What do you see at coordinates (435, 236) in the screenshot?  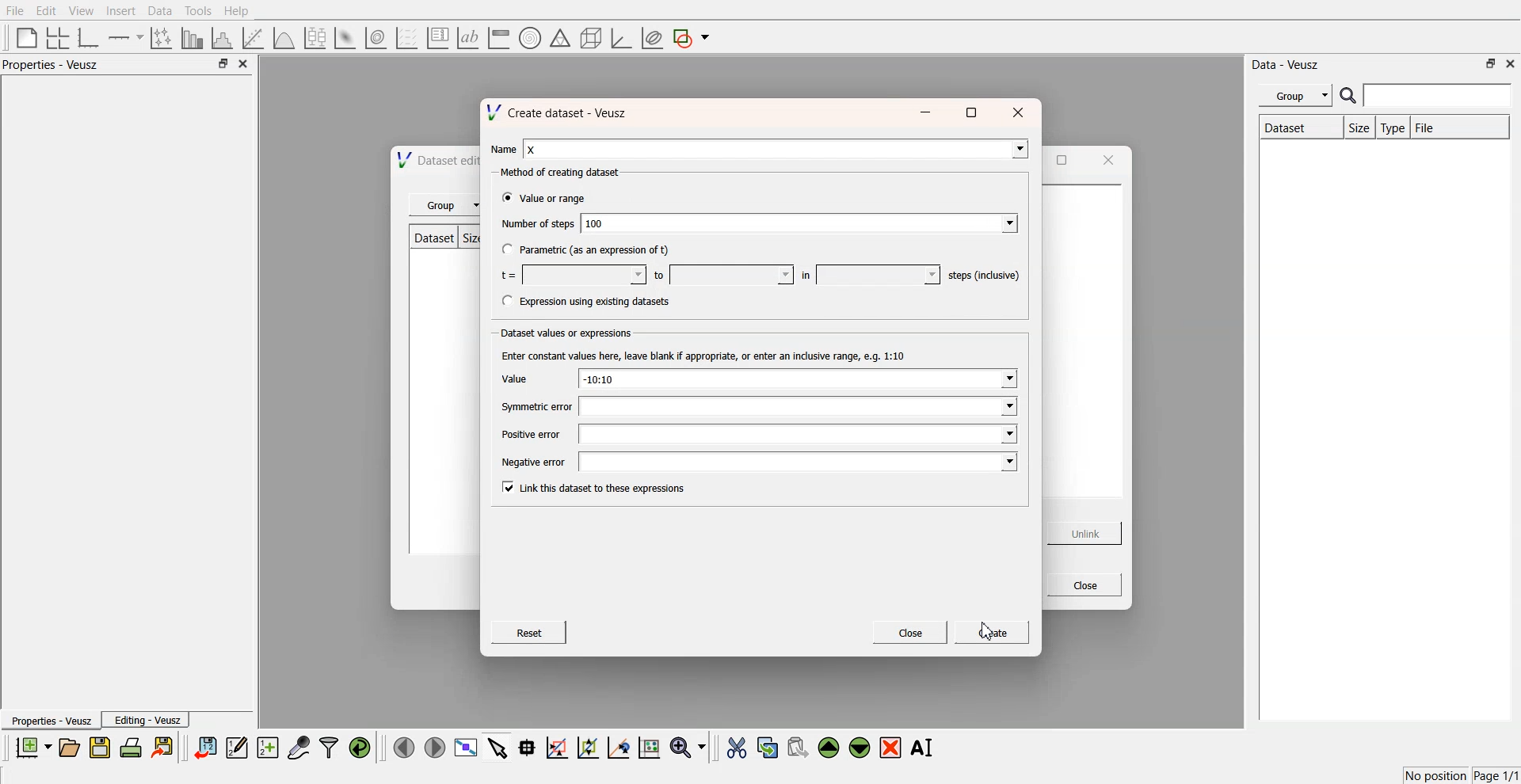 I see `Dataset` at bounding box center [435, 236].